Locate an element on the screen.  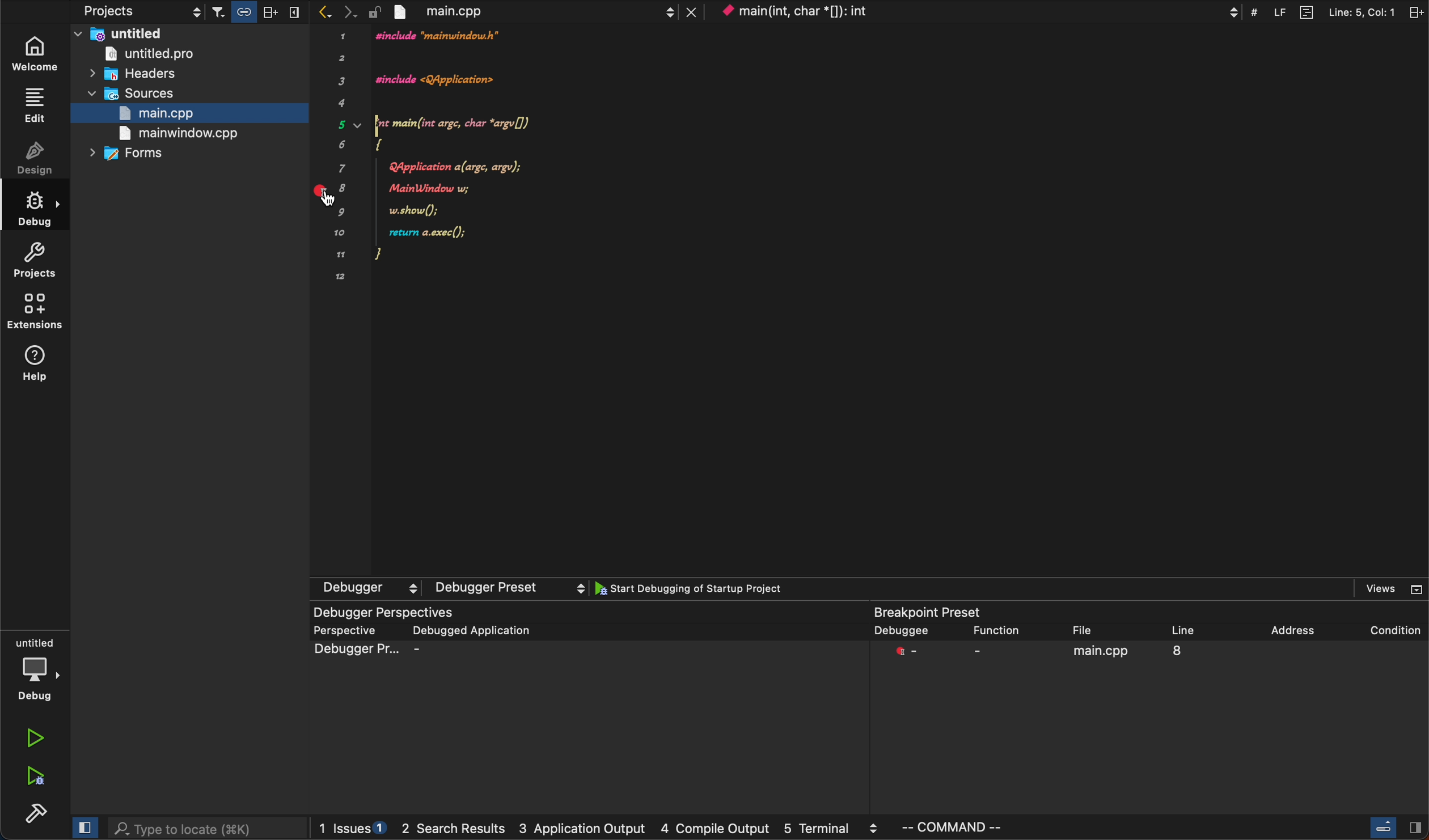
edit is located at coordinates (35, 105).